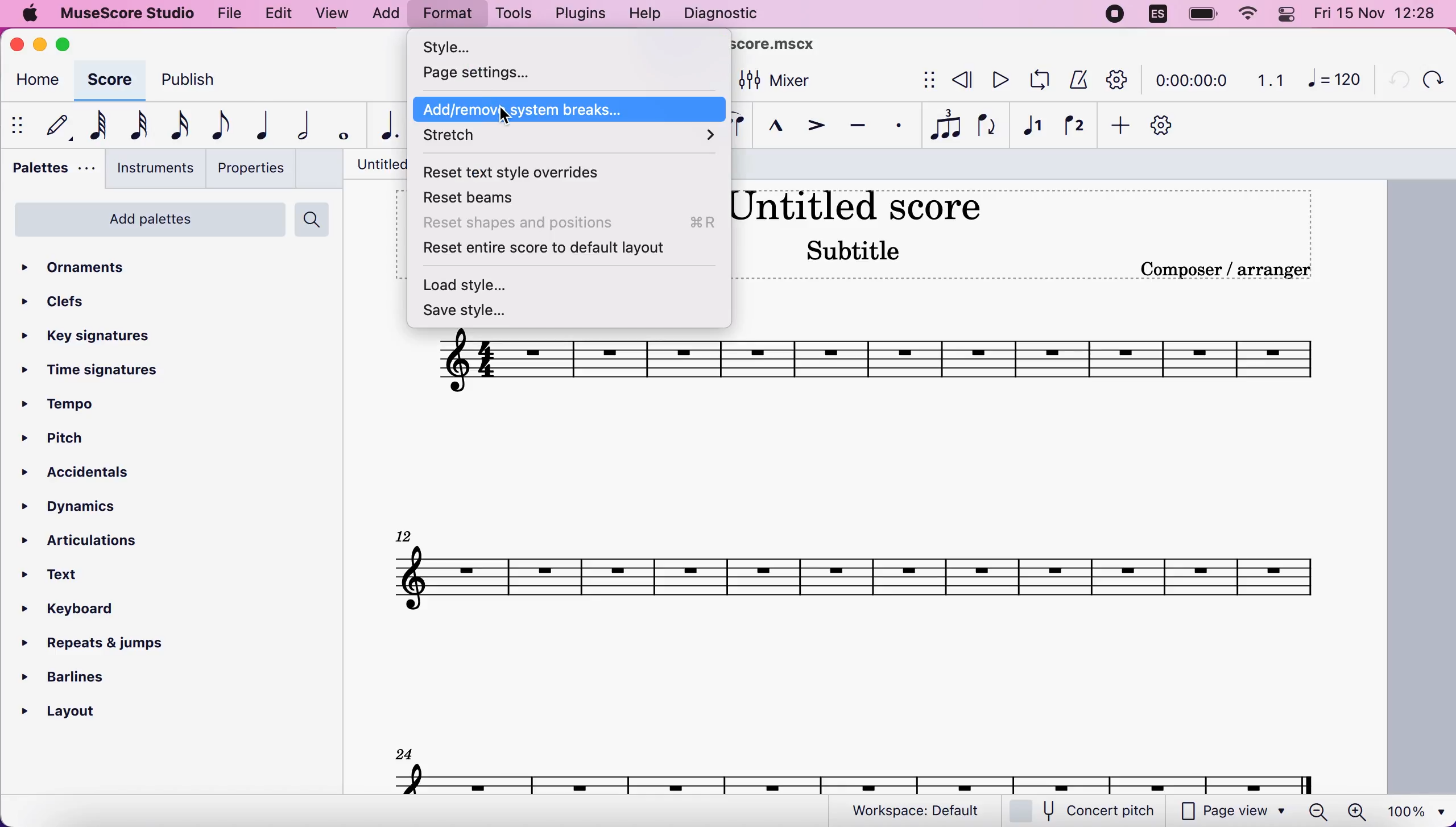  I want to click on default, so click(53, 125).